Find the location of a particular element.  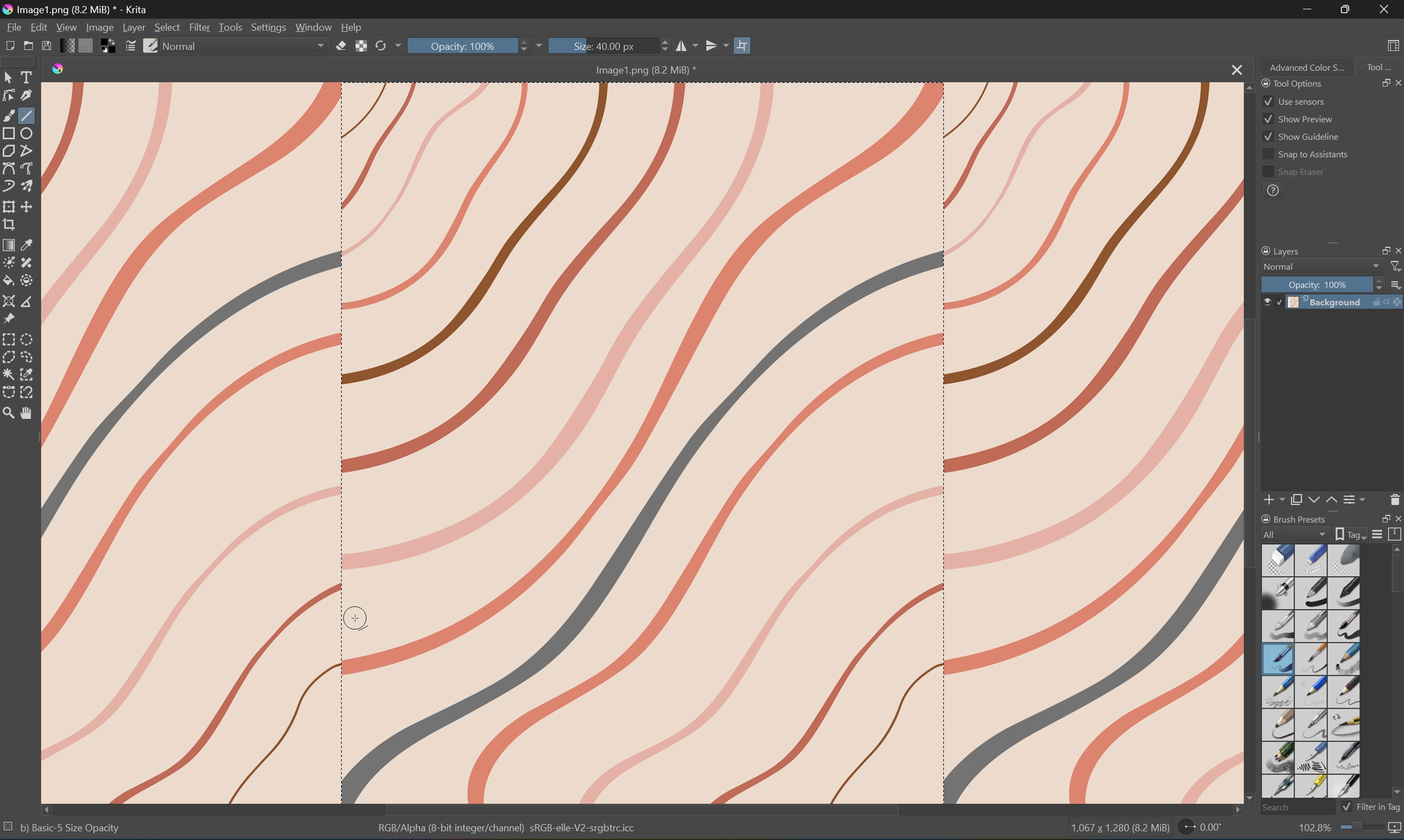

Fill patterns is located at coordinates (89, 47).